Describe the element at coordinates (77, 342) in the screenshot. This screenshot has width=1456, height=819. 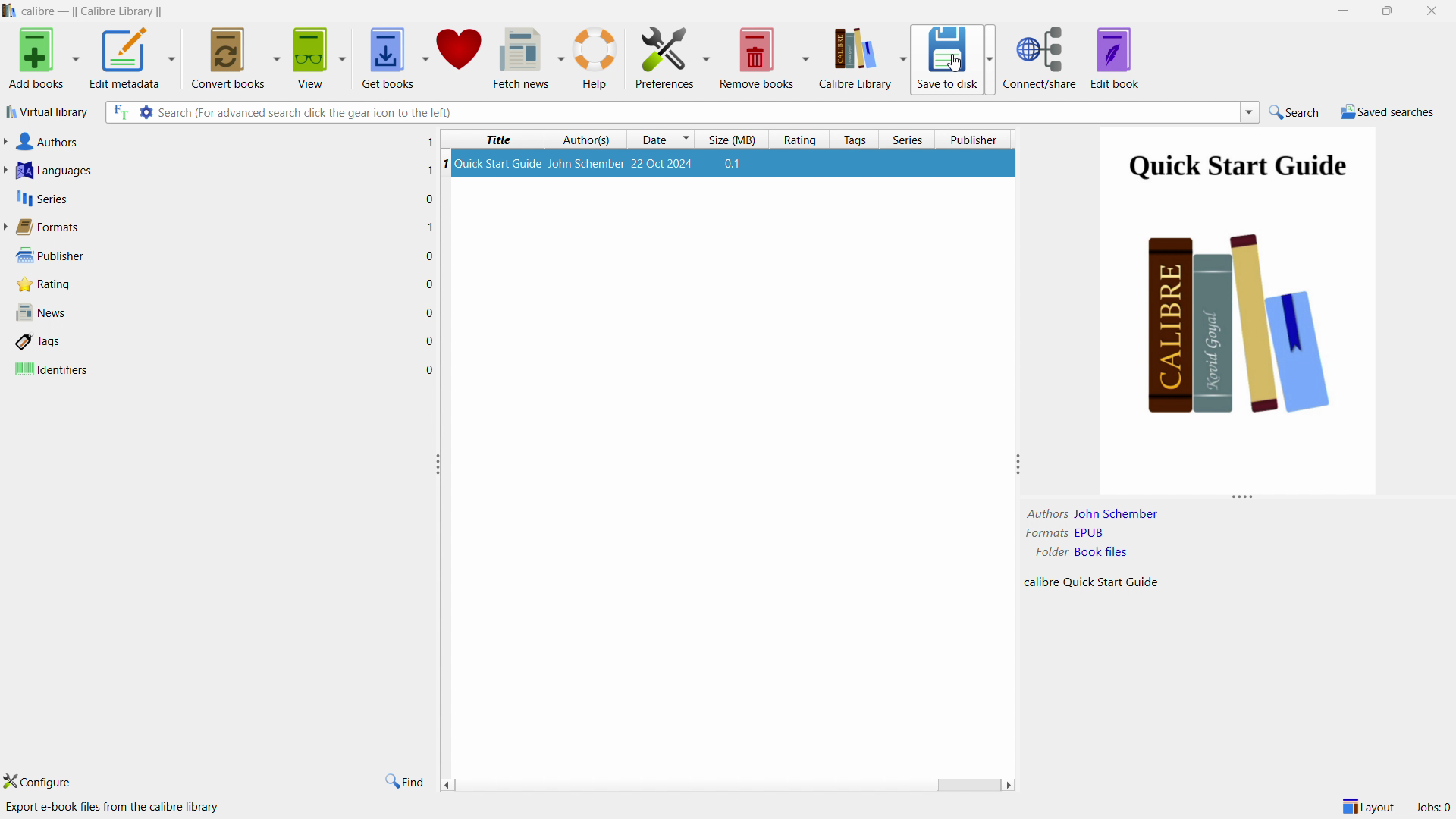
I see `Tags` at that location.